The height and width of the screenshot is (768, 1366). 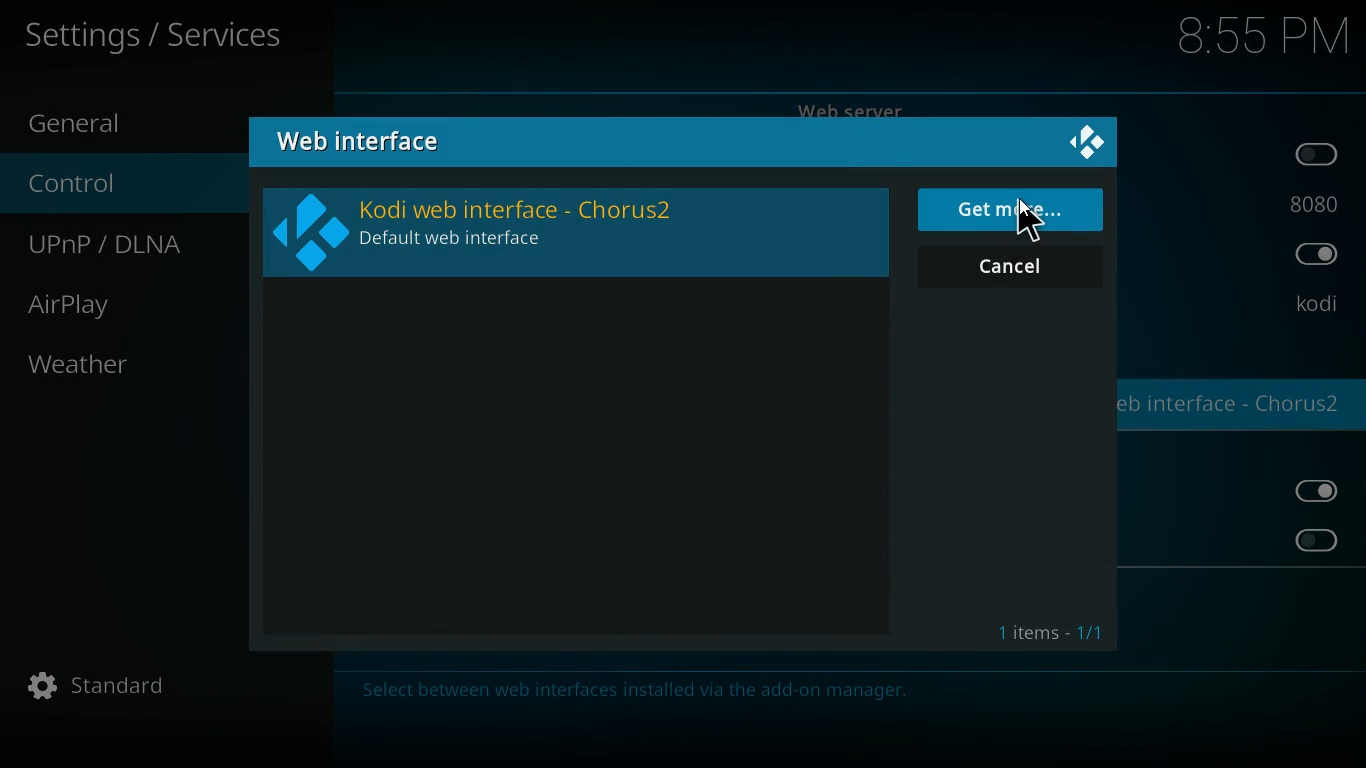 I want to click on AirPlay, so click(x=93, y=305).